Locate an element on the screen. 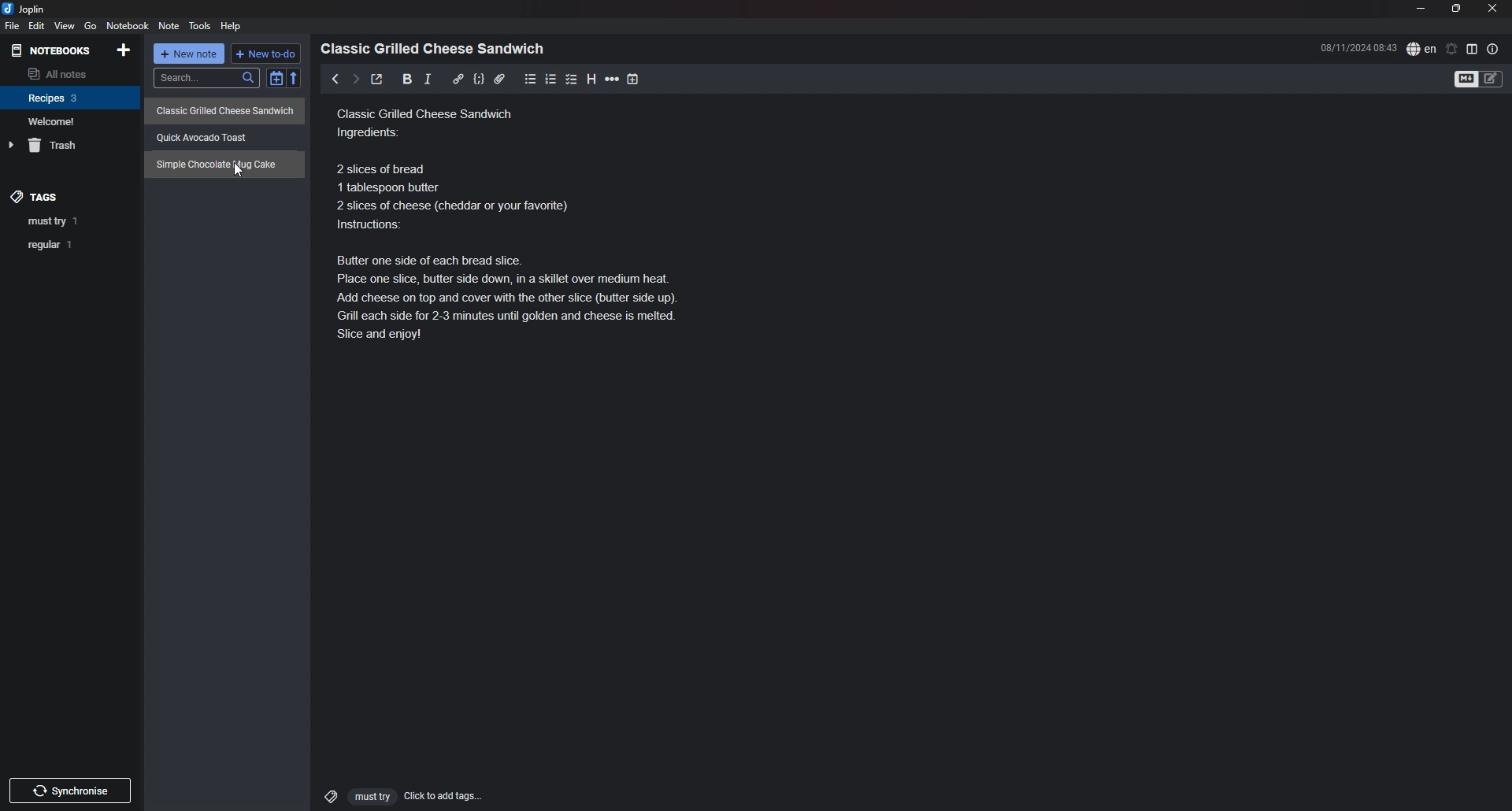  Classic Grilled Cheese Sandwich is located at coordinates (226, 109).